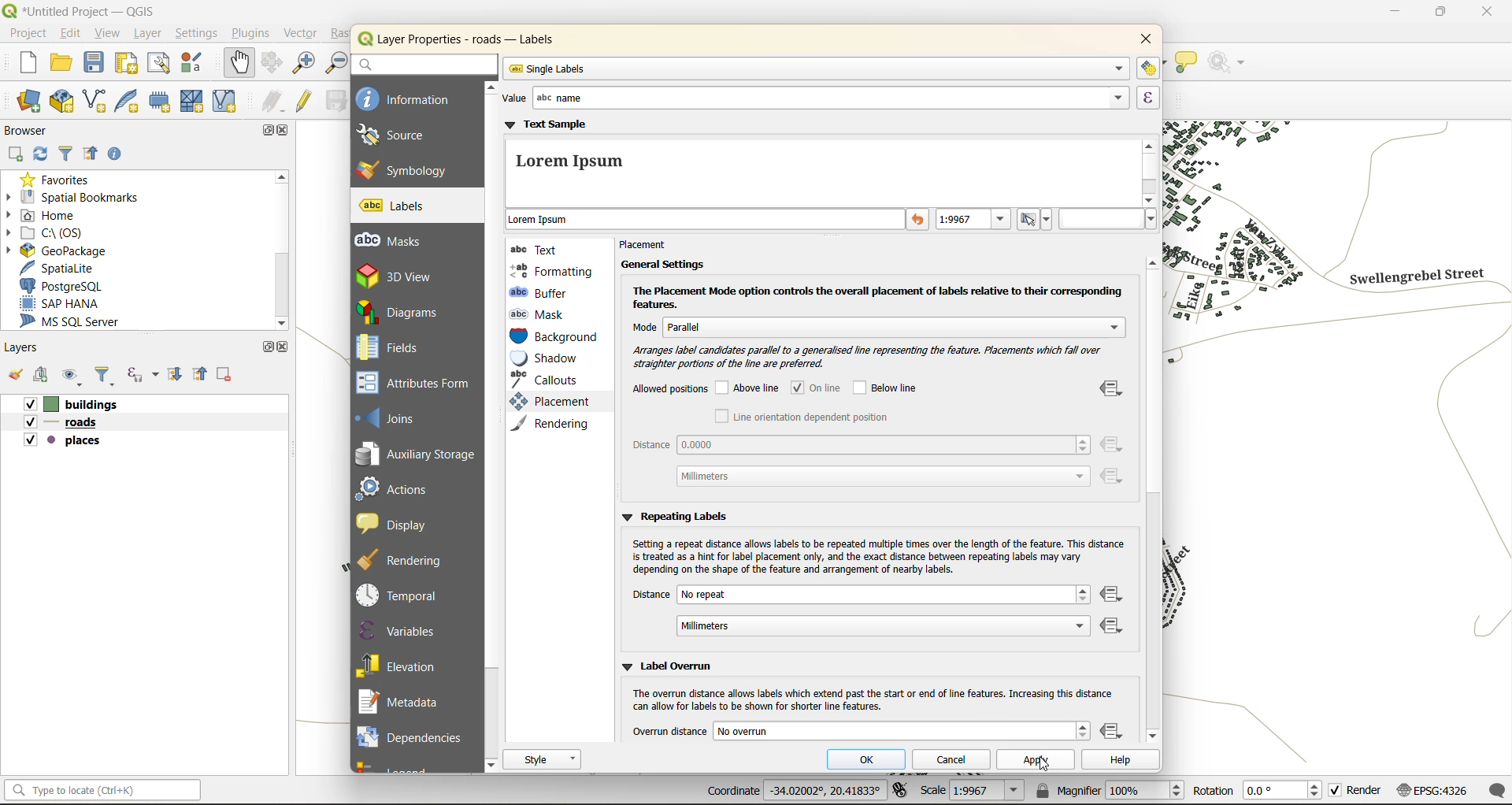 The image size is (1512, 805). What do you see at coordinates (43, 374) in the screenshot?
I see `add` at bounding box center [43, 374].